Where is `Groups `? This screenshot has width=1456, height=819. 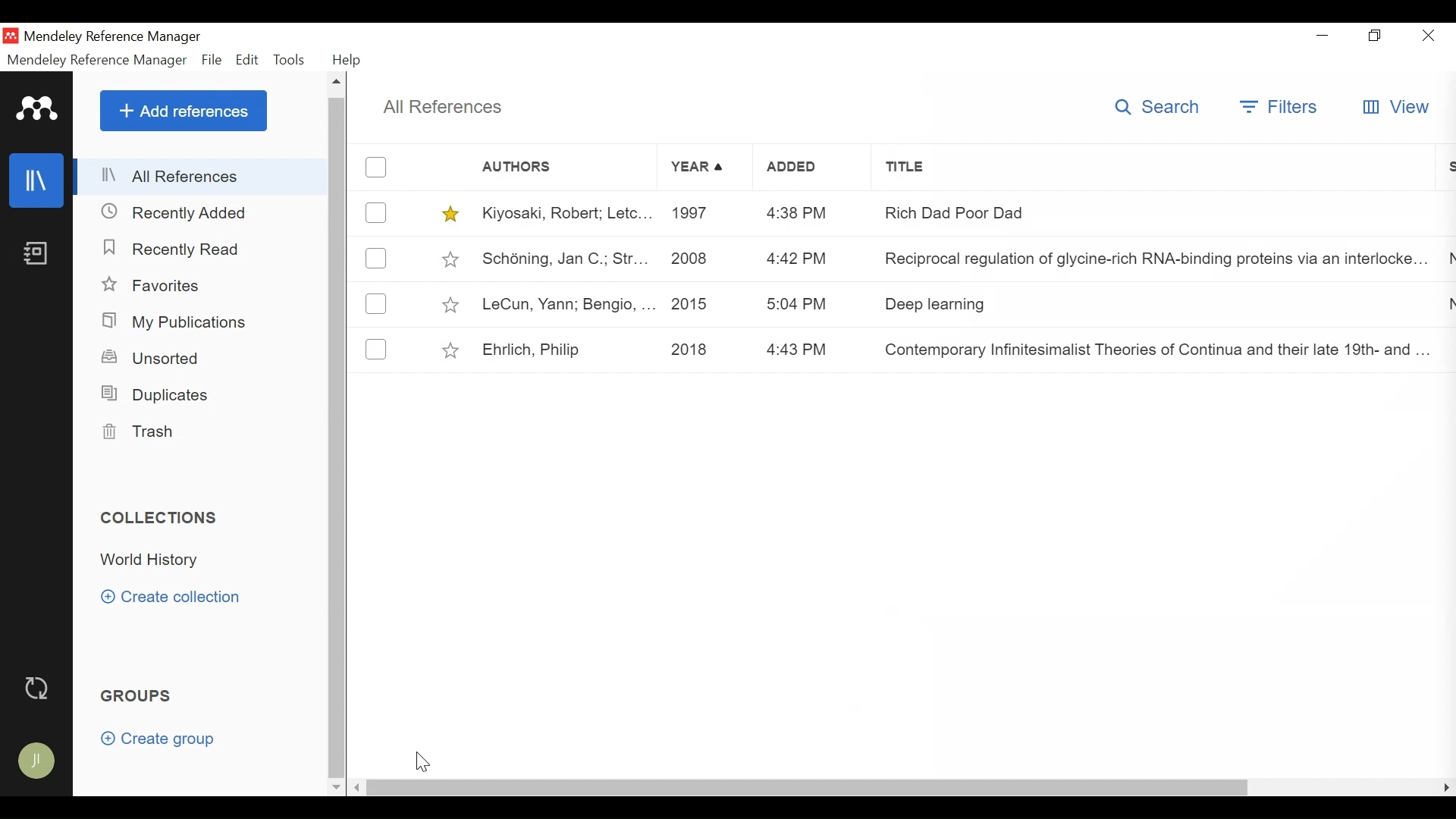 Groups  is located at coordinates (137, 697).